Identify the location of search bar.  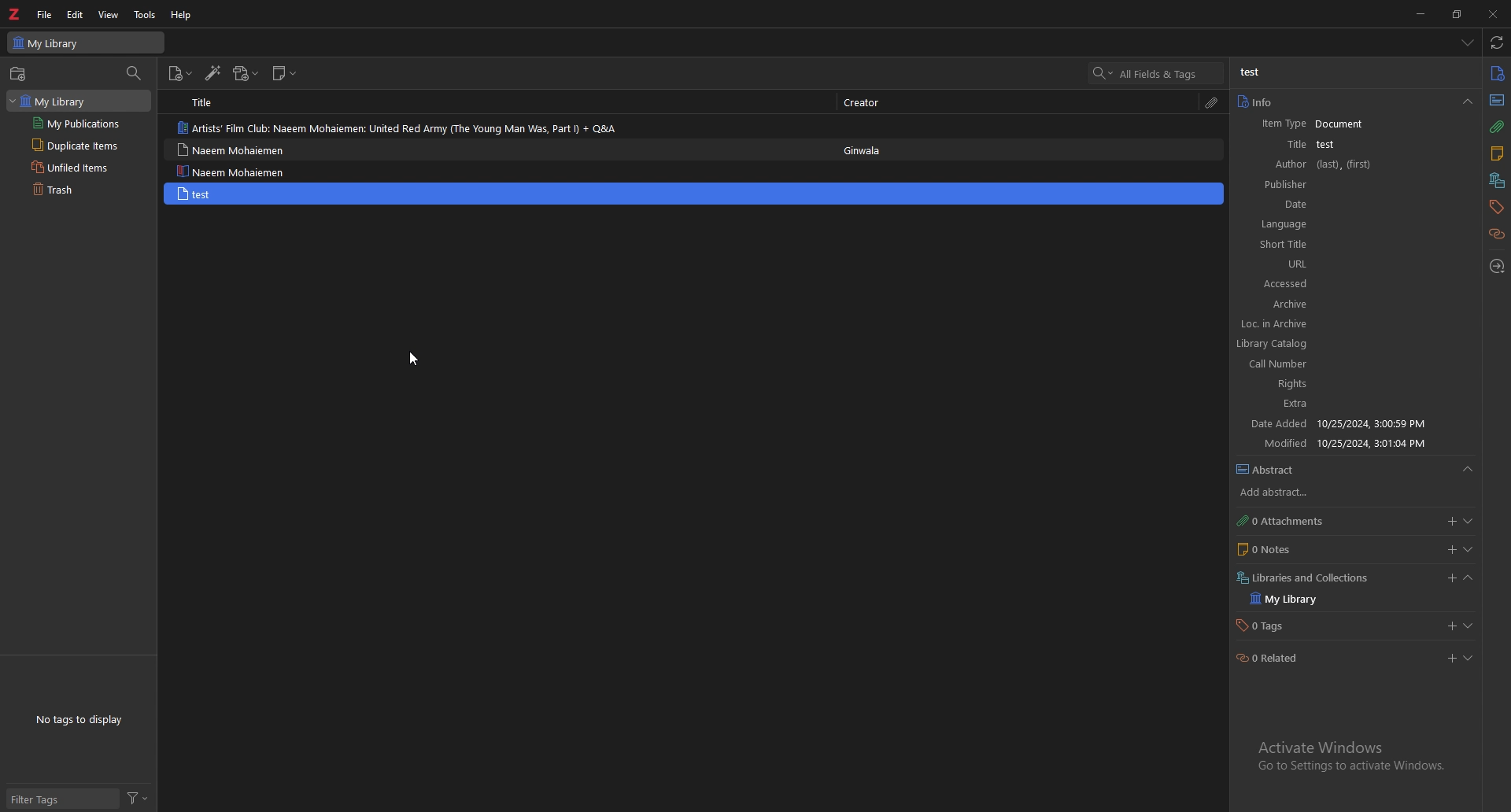
(1156, 73).